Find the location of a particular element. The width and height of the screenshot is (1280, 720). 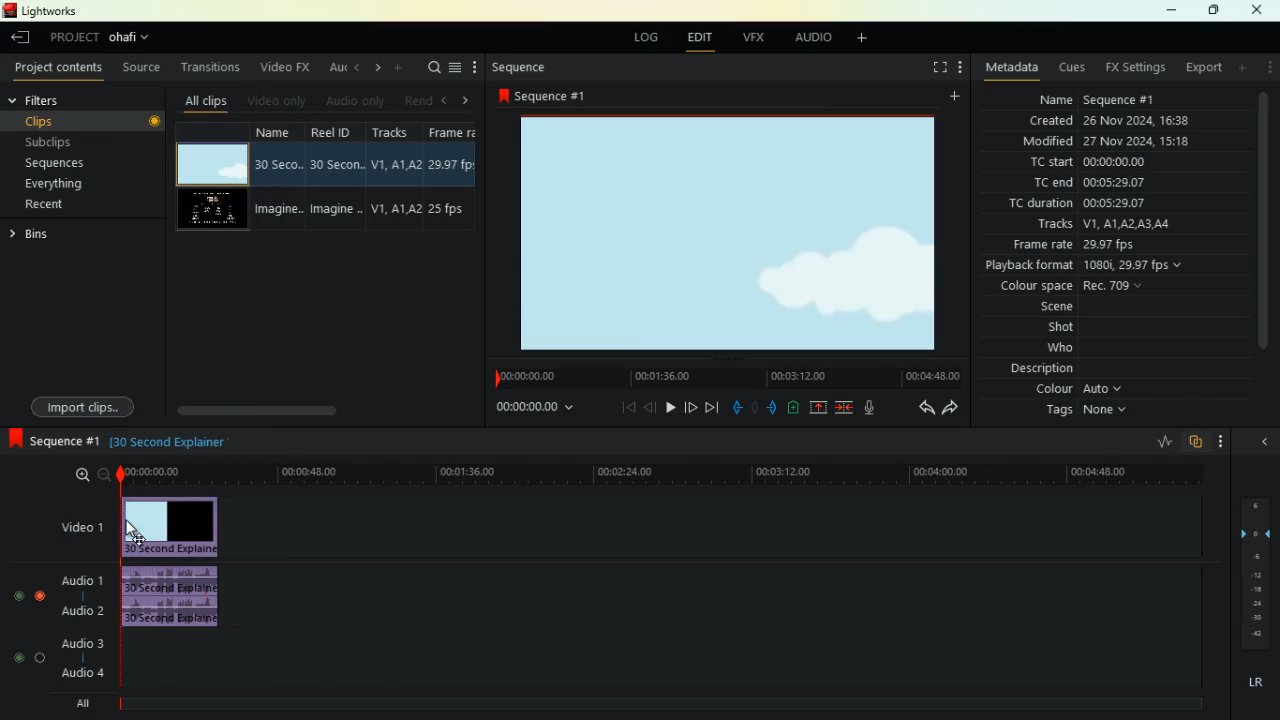

more is located at coordinates (477, 68).